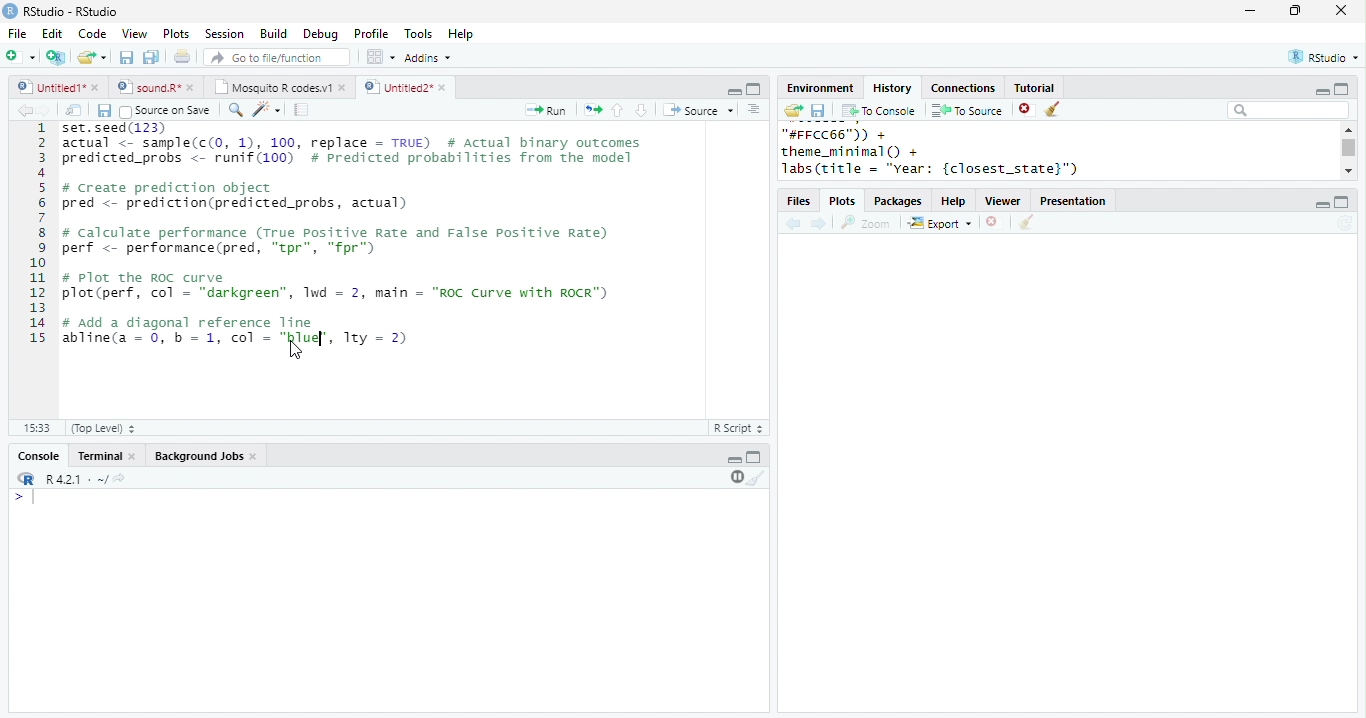 Image resolution: width=1366 pixels, height=718 pixels. Describe the element at coordinates (198, 456) in the screenshot. I see `Background Jobs` at that location.